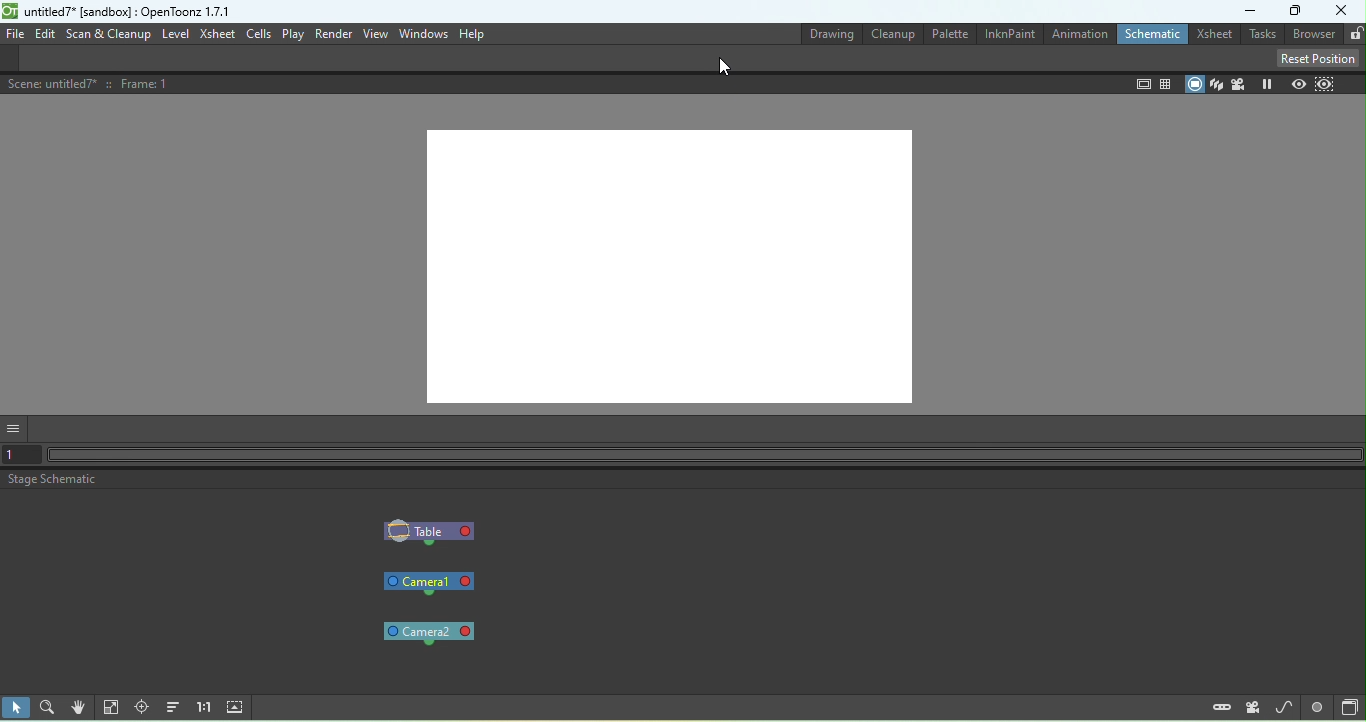 This screenshot has width=1366, height=722. Describe the element at coordinates (18, 707) in the screenshot. I see `Selection mode` at that location.